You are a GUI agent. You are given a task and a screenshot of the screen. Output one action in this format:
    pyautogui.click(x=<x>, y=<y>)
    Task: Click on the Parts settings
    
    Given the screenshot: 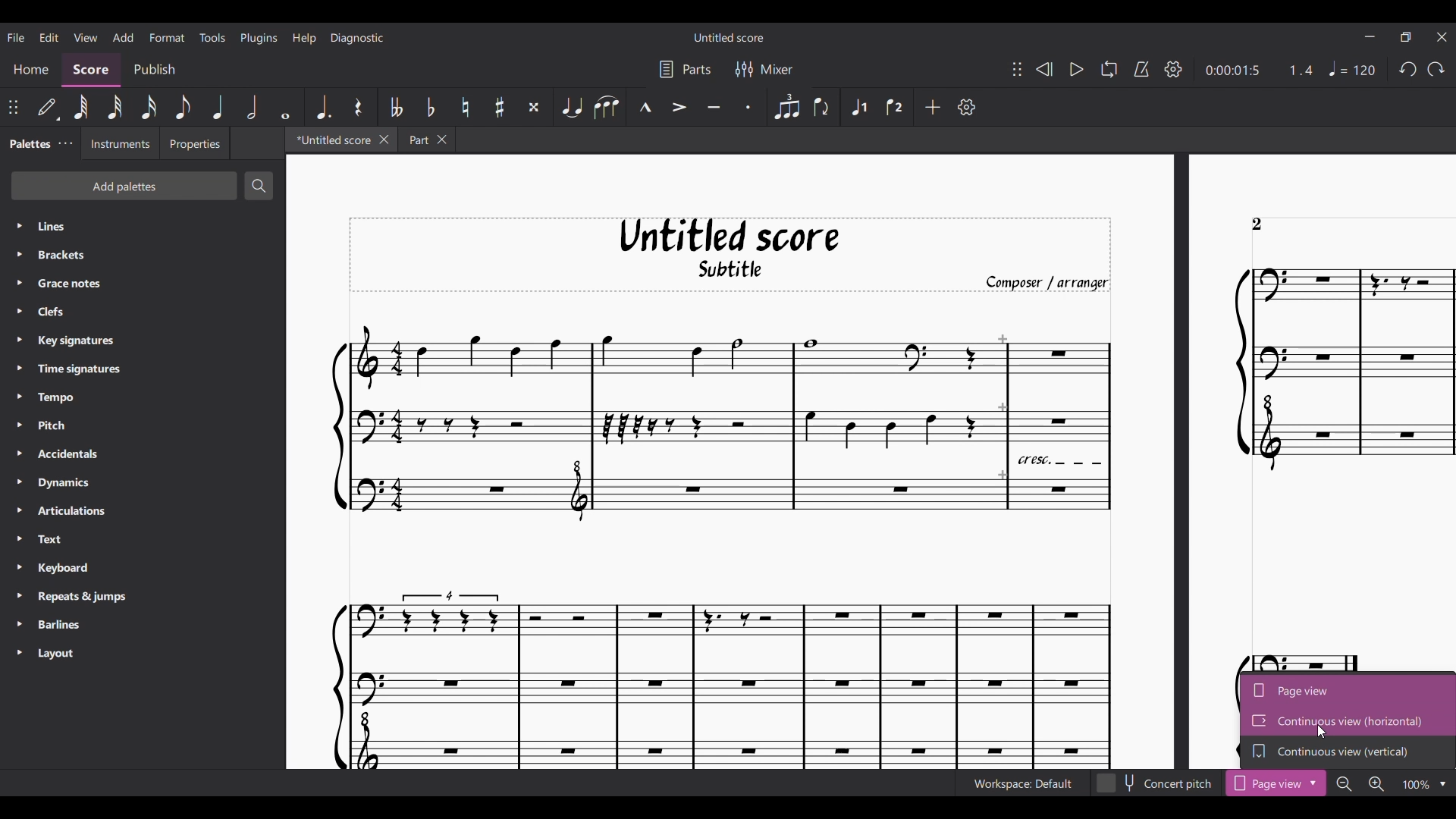 What is the action you would take?
    pyautogui.click(x=686, y=69)
    